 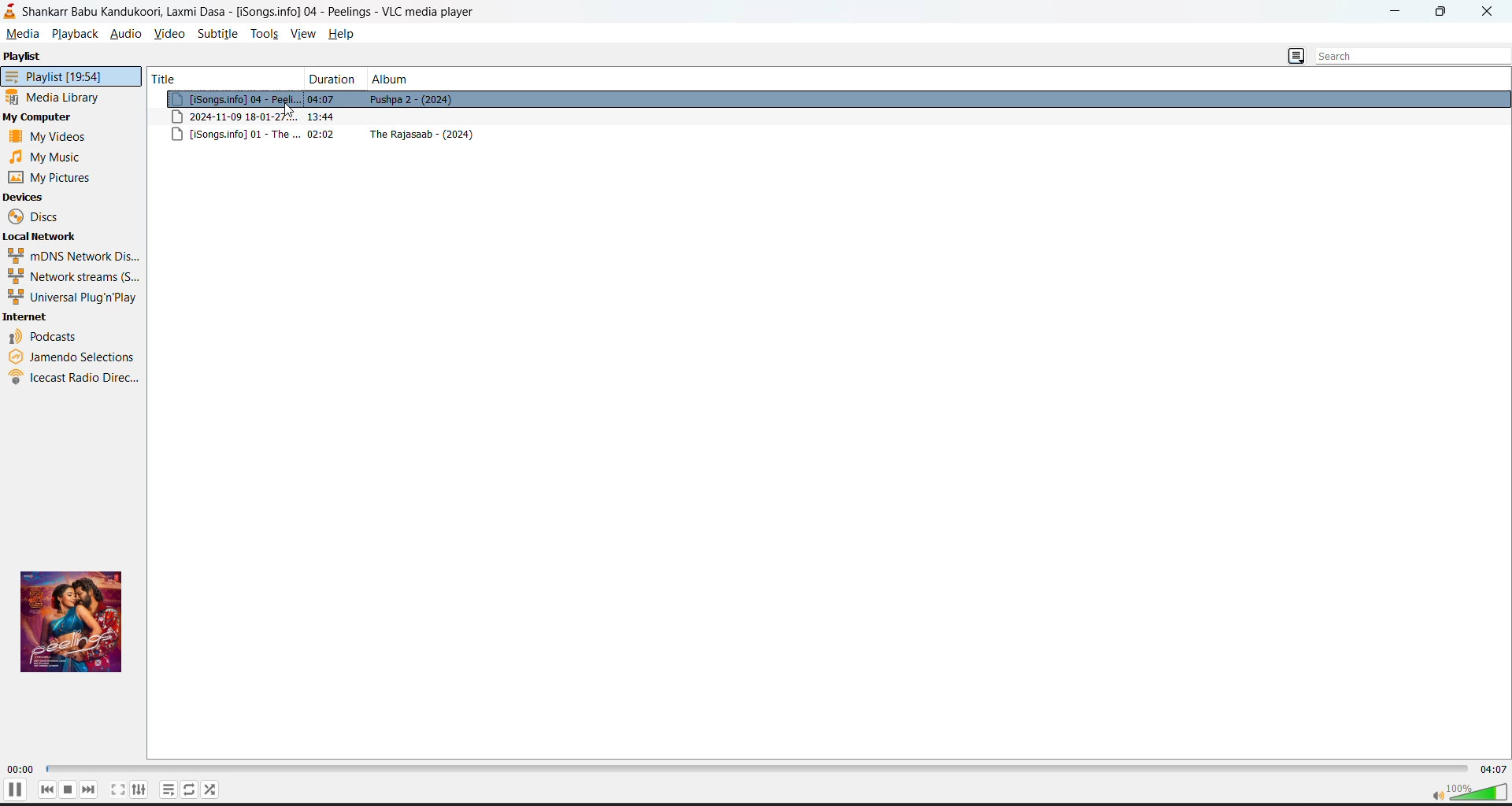 I want to click on tools, so click(x=265, y=35).